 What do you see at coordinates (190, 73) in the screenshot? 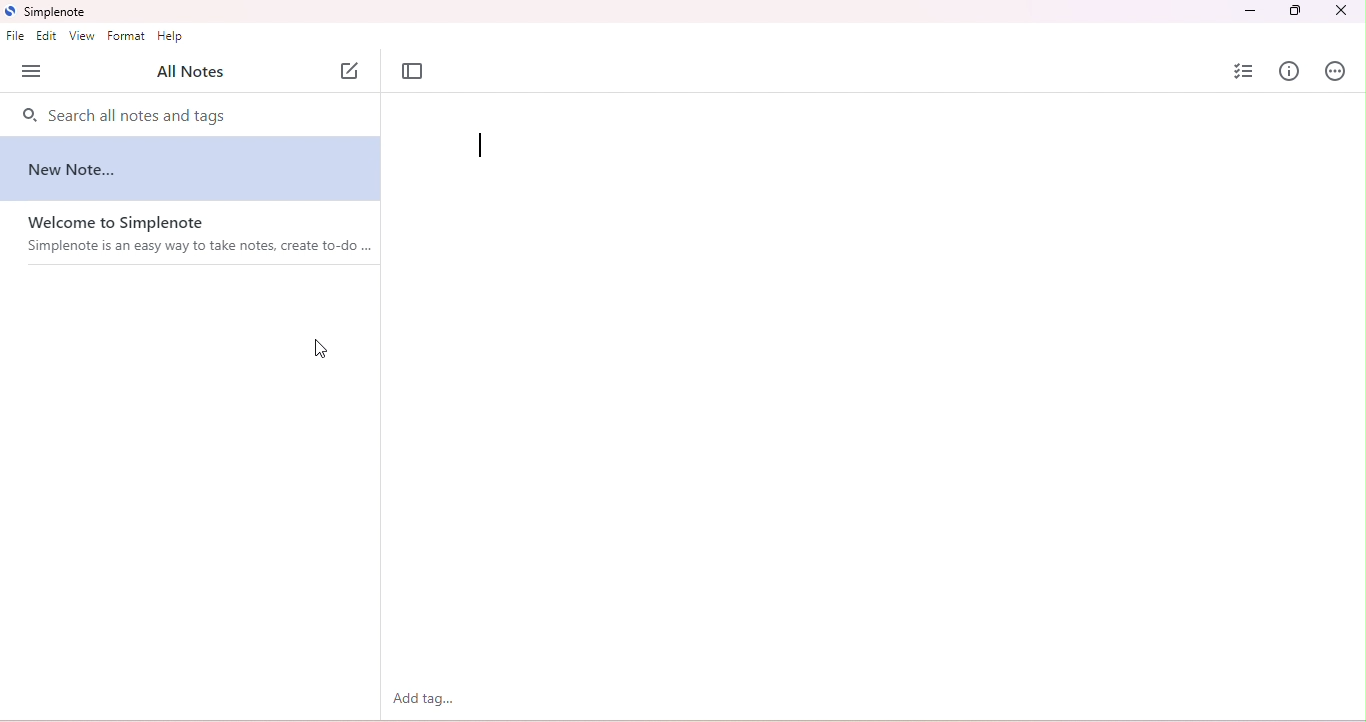
I see `all notes` at bounding box center [190, 73].